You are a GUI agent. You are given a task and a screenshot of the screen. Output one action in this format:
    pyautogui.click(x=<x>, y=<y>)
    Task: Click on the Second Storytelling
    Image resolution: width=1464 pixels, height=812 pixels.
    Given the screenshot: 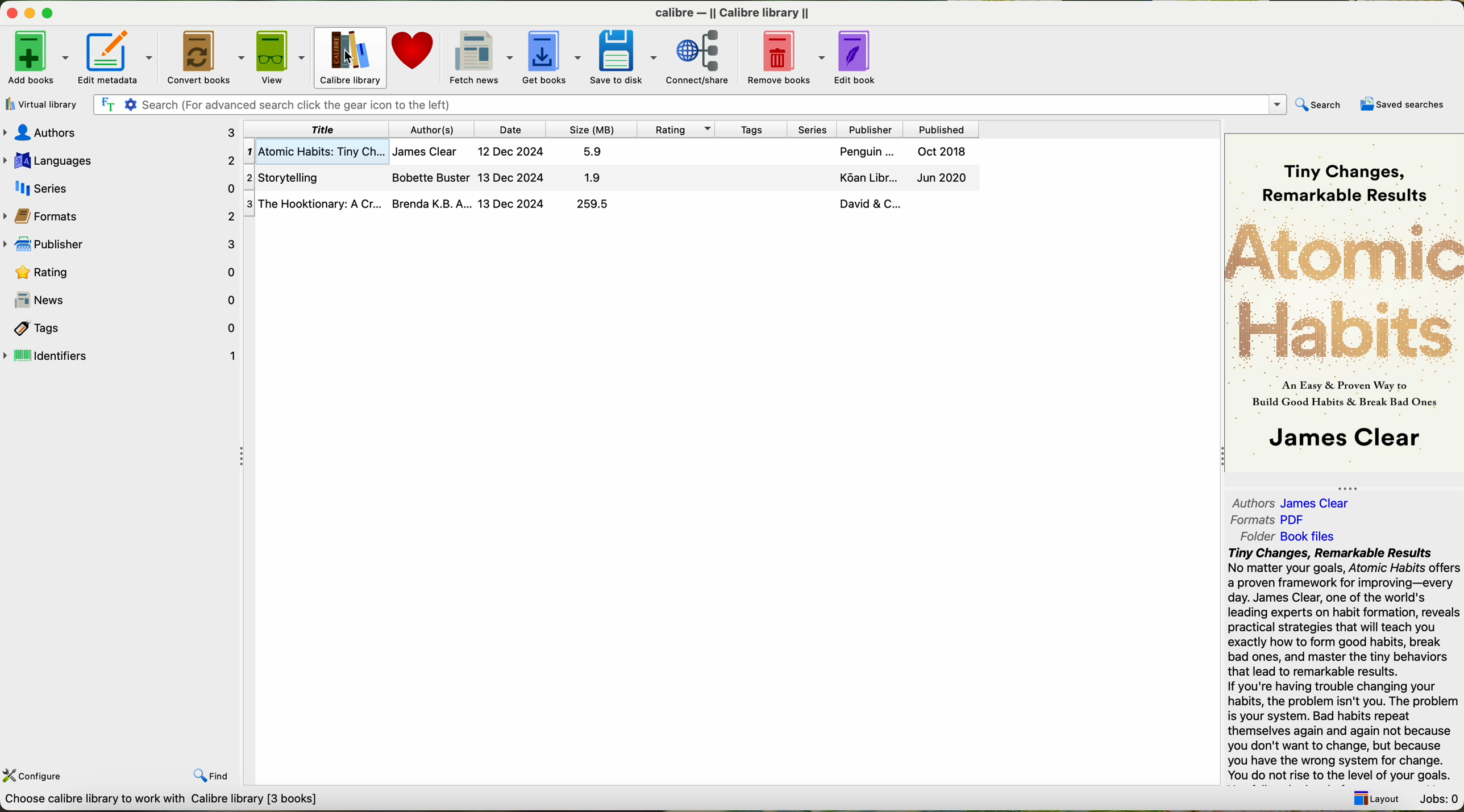 What is the action you would take?
    pyautogui.click(x=613, y=178)
    